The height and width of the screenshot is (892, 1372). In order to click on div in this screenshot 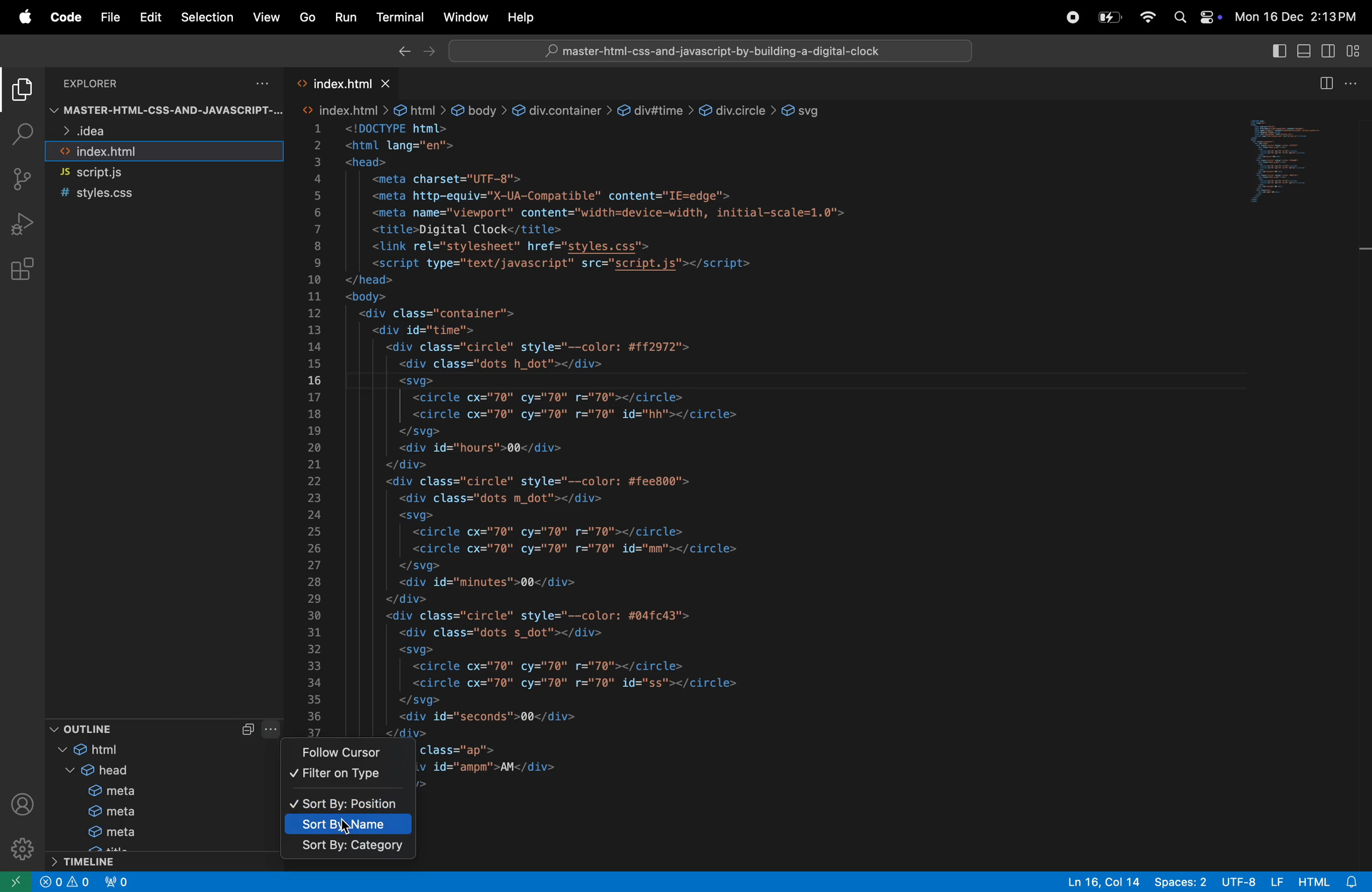, I will do `click(562, 110)`.